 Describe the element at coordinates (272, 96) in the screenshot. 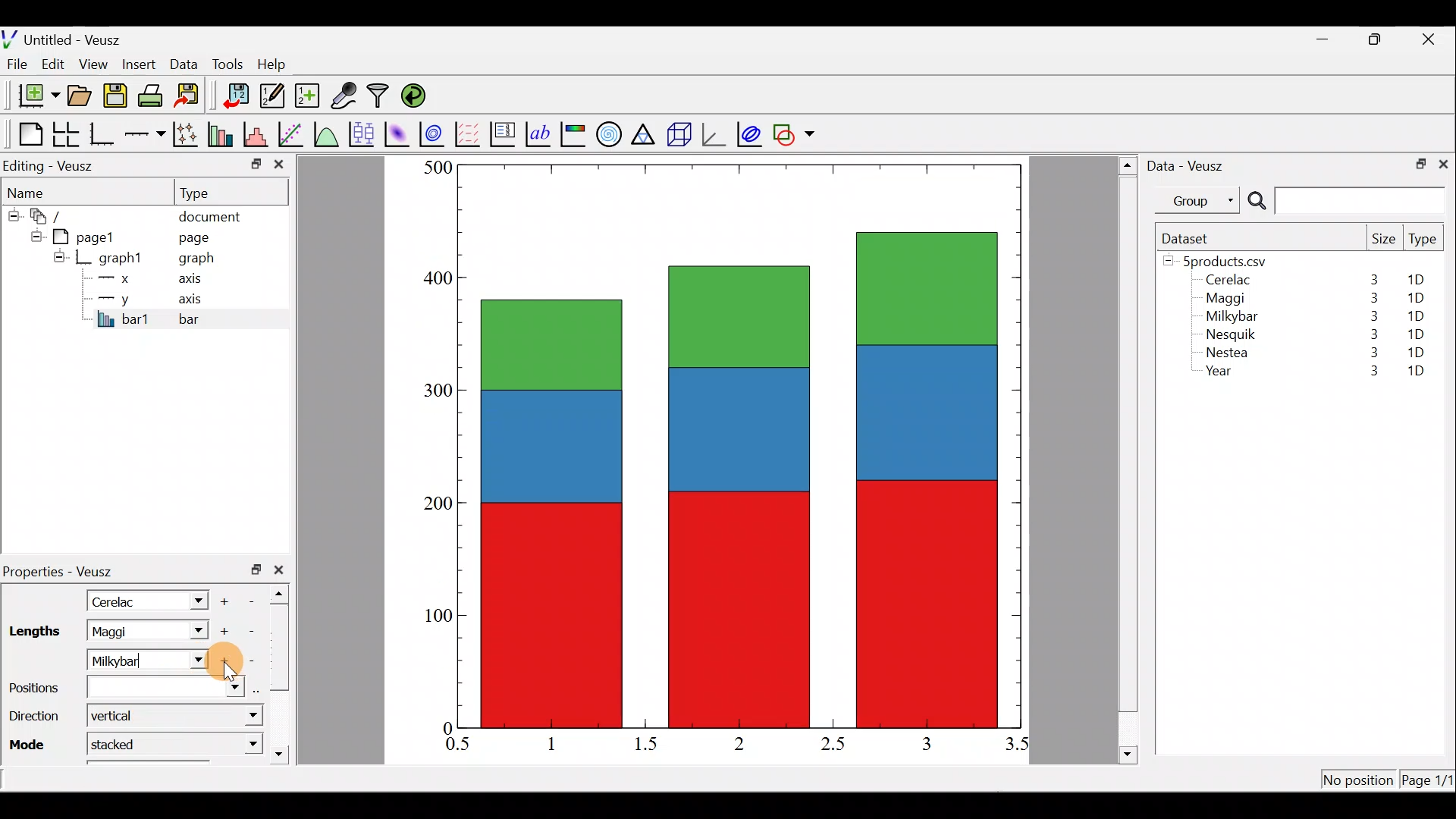

I see `Edit and enter new datasets` at that location.